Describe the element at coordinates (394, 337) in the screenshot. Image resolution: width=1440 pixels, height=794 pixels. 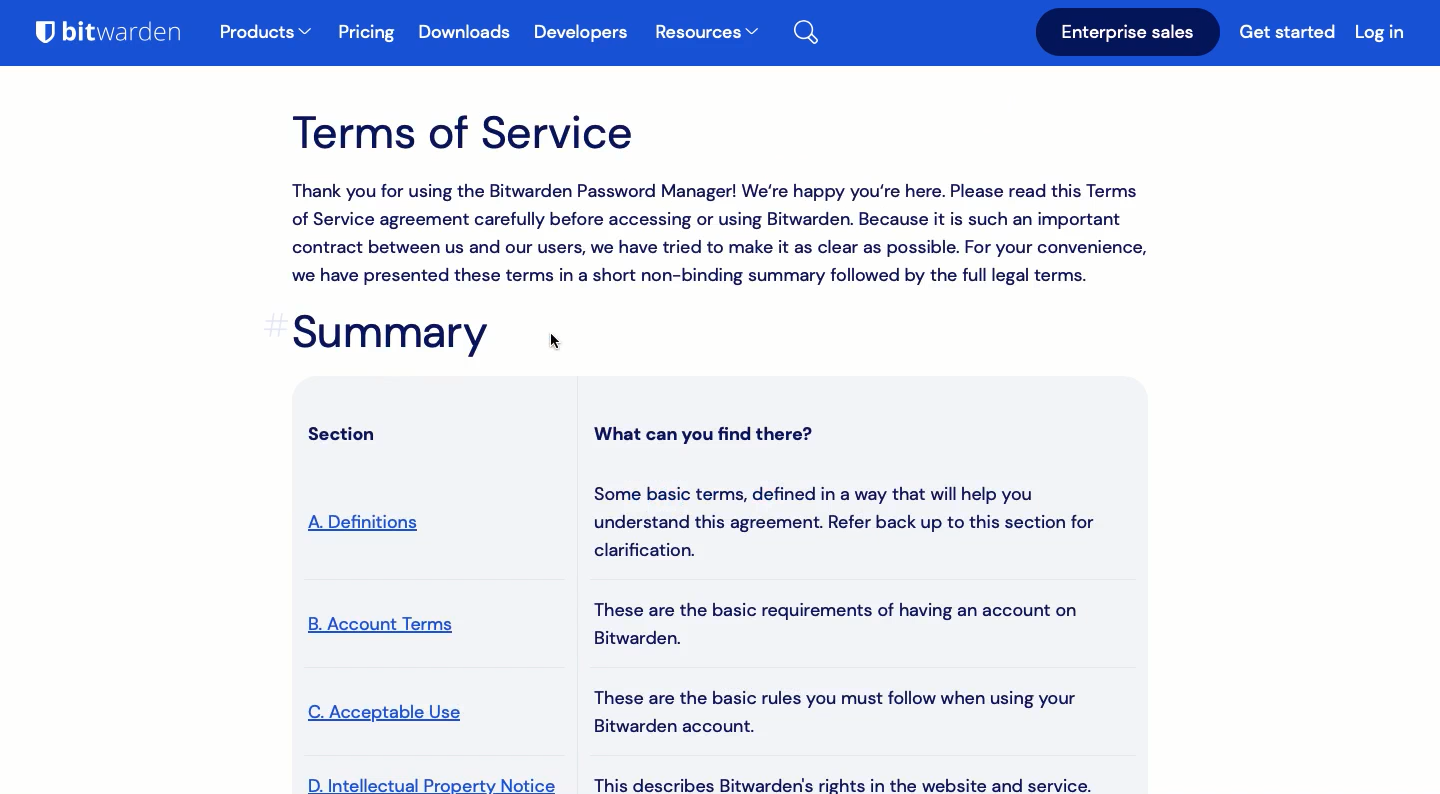
I see `summary` at that location.